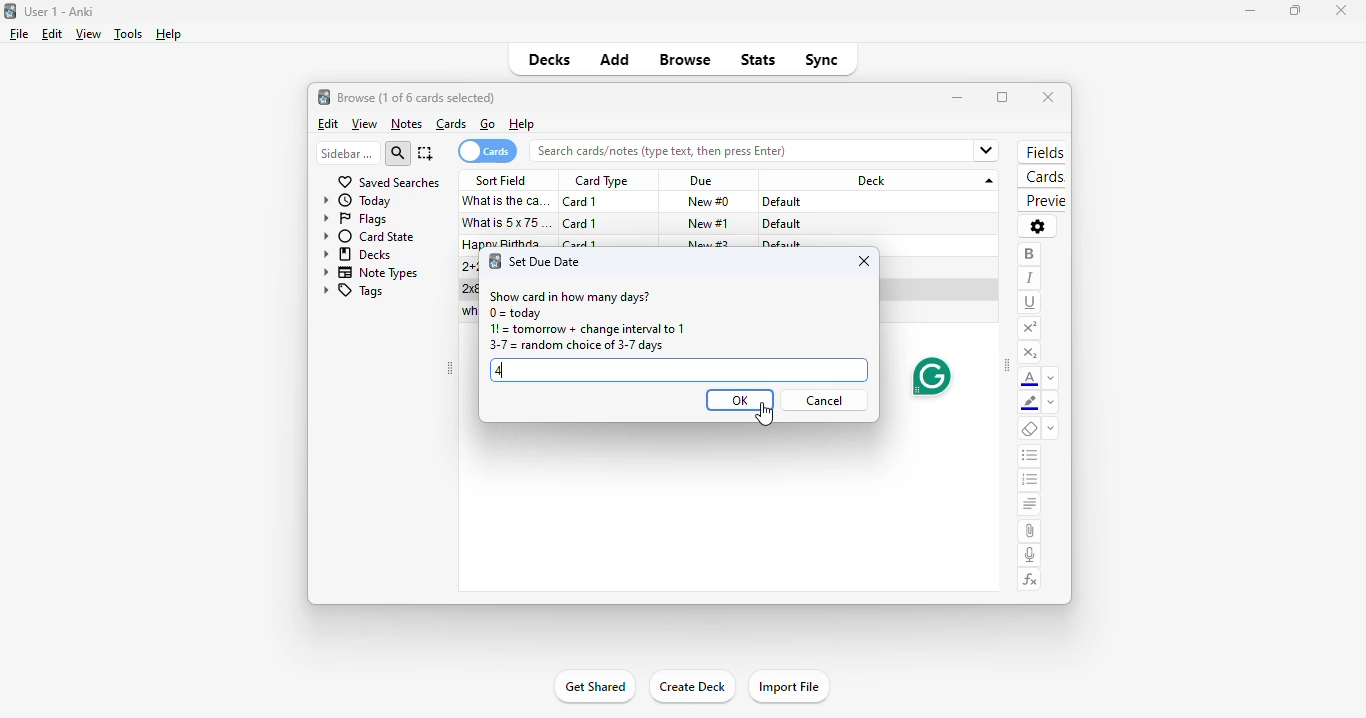 The width and height of the screenshot is (1366, 718). I want to click on edit, so click(327, 124).